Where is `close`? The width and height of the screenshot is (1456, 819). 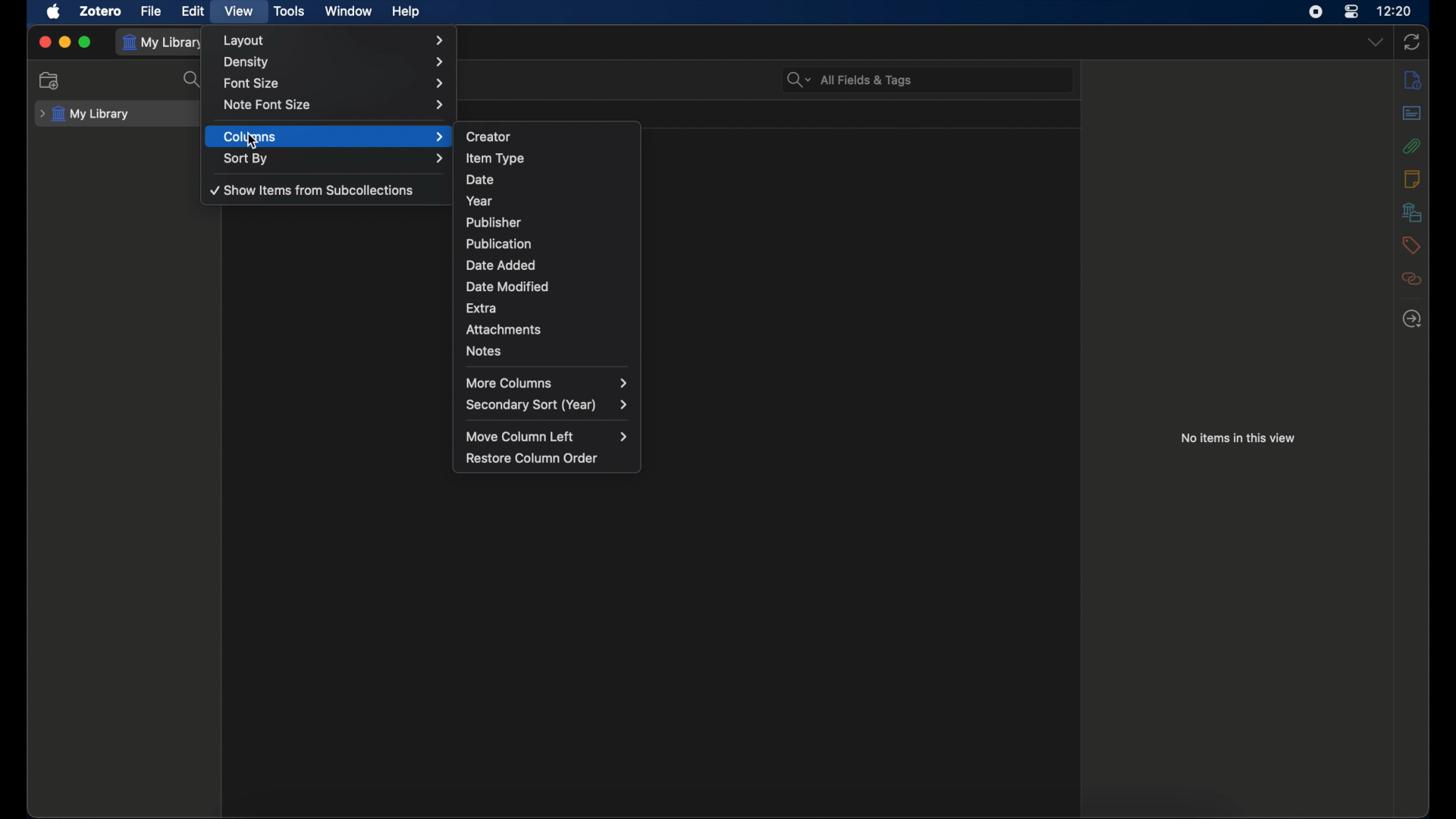 close is located at coordinates (44, 42).